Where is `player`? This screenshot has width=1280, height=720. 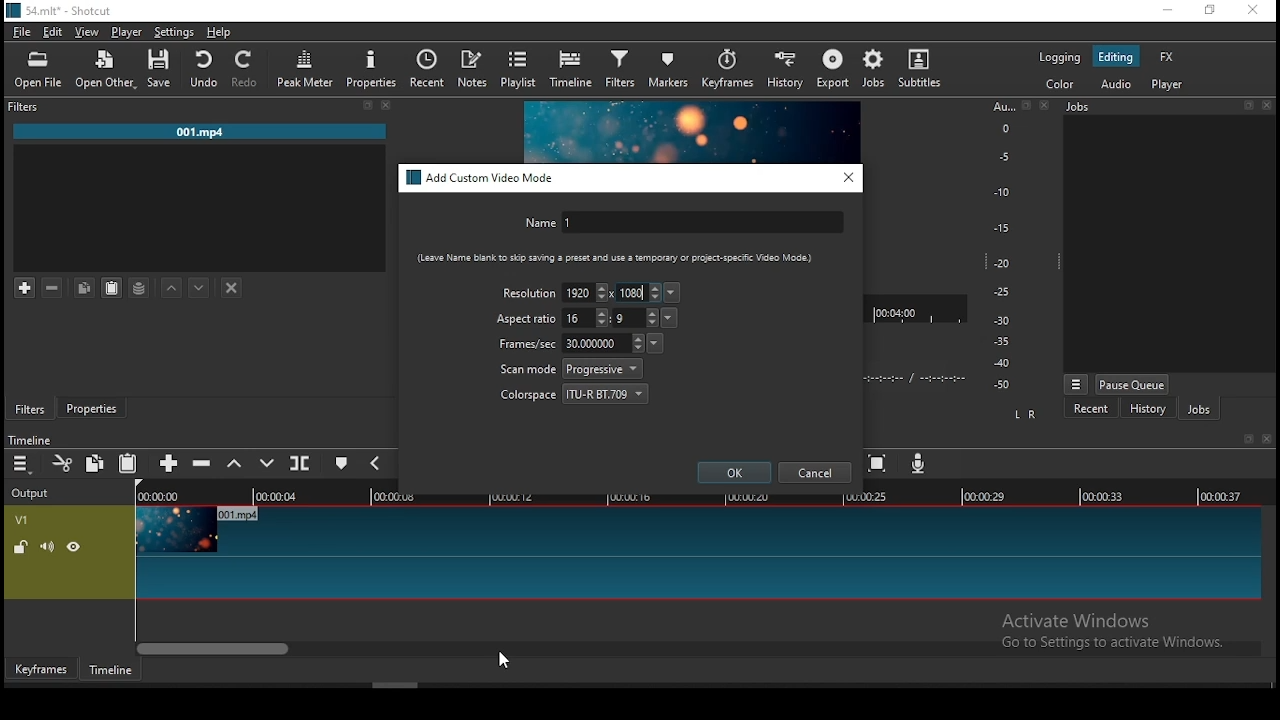
player is located at coordinates (128, 33).